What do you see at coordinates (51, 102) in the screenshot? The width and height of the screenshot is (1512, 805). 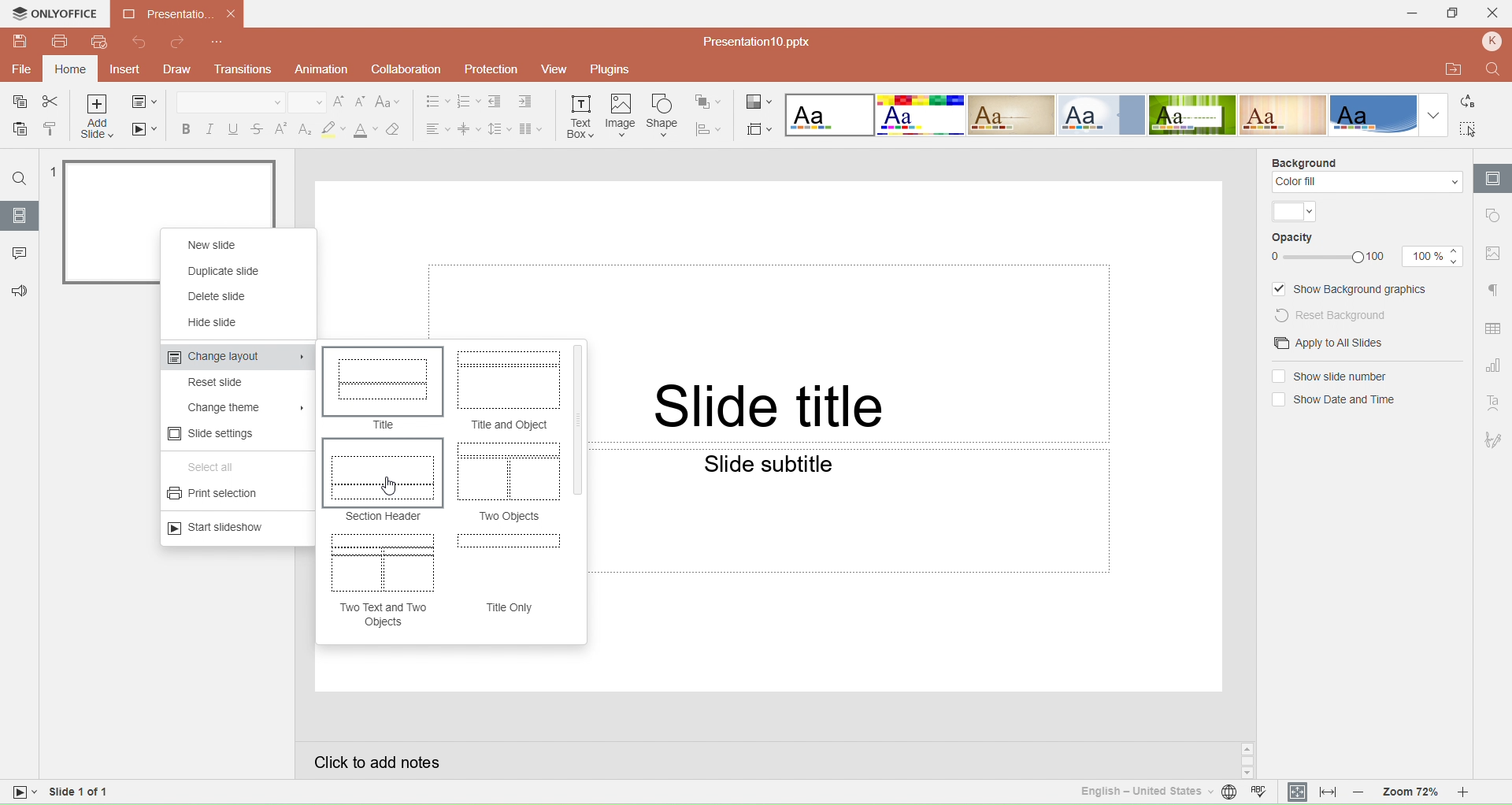 I see `Cut` at bounding box center [51, 102].